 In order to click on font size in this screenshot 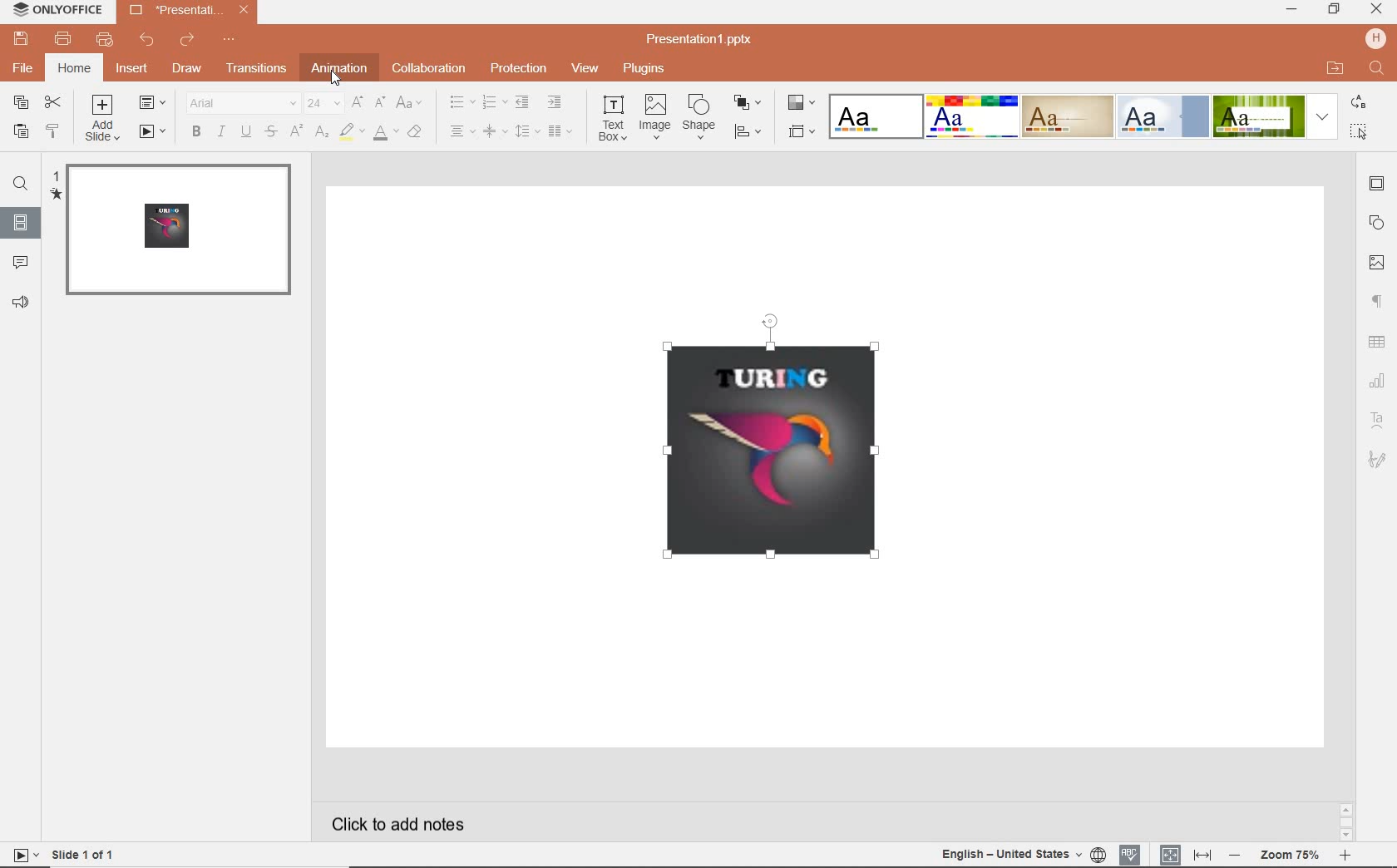, I will do `click(322, 103)`.